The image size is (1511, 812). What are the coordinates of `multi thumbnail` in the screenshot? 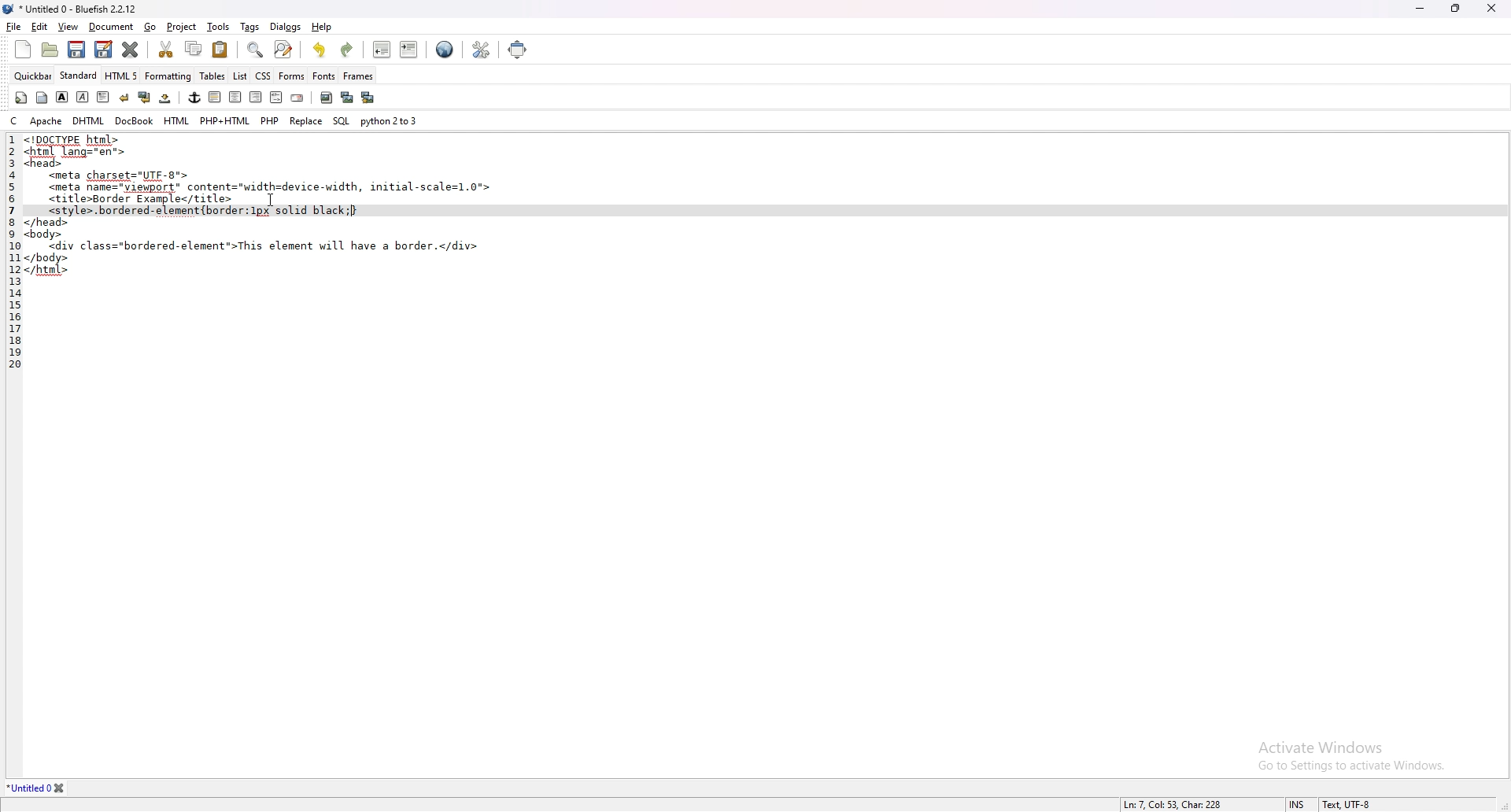 It's located at (370, 97).